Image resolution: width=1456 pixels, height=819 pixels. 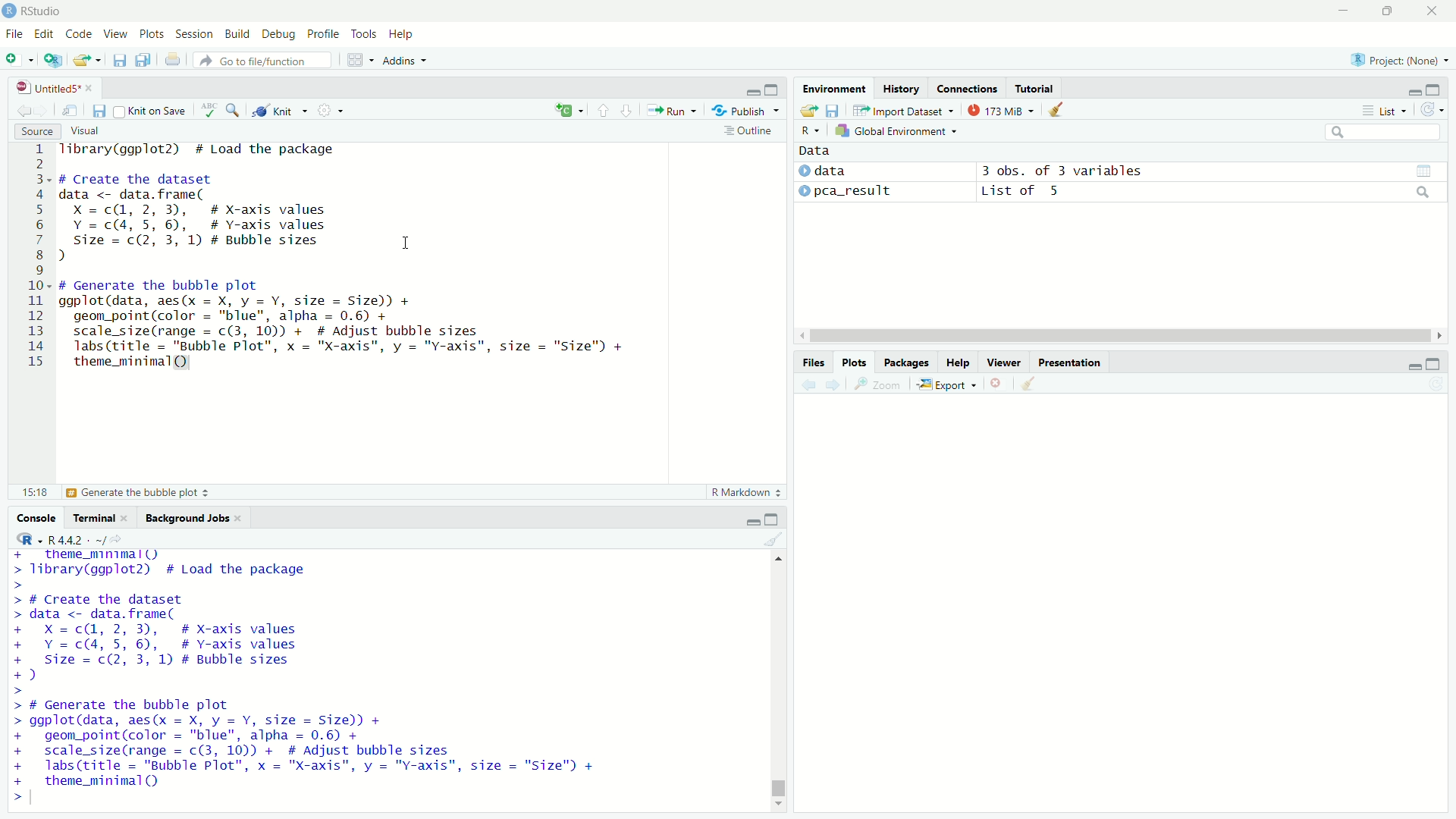 I want to click on new file, so click(x=20, y=59).